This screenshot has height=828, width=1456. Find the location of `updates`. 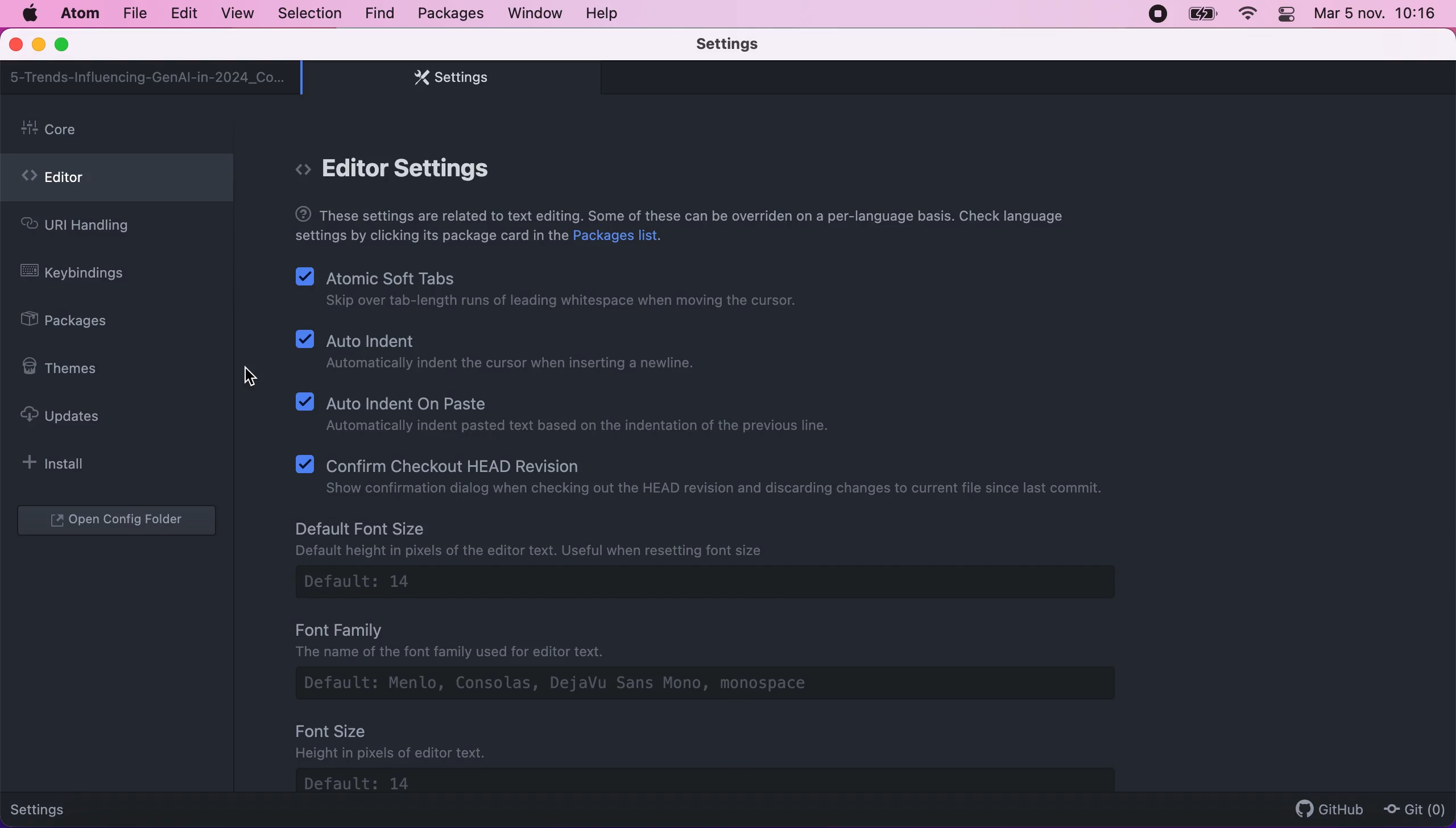

updates is located at coordinates (71, 415).